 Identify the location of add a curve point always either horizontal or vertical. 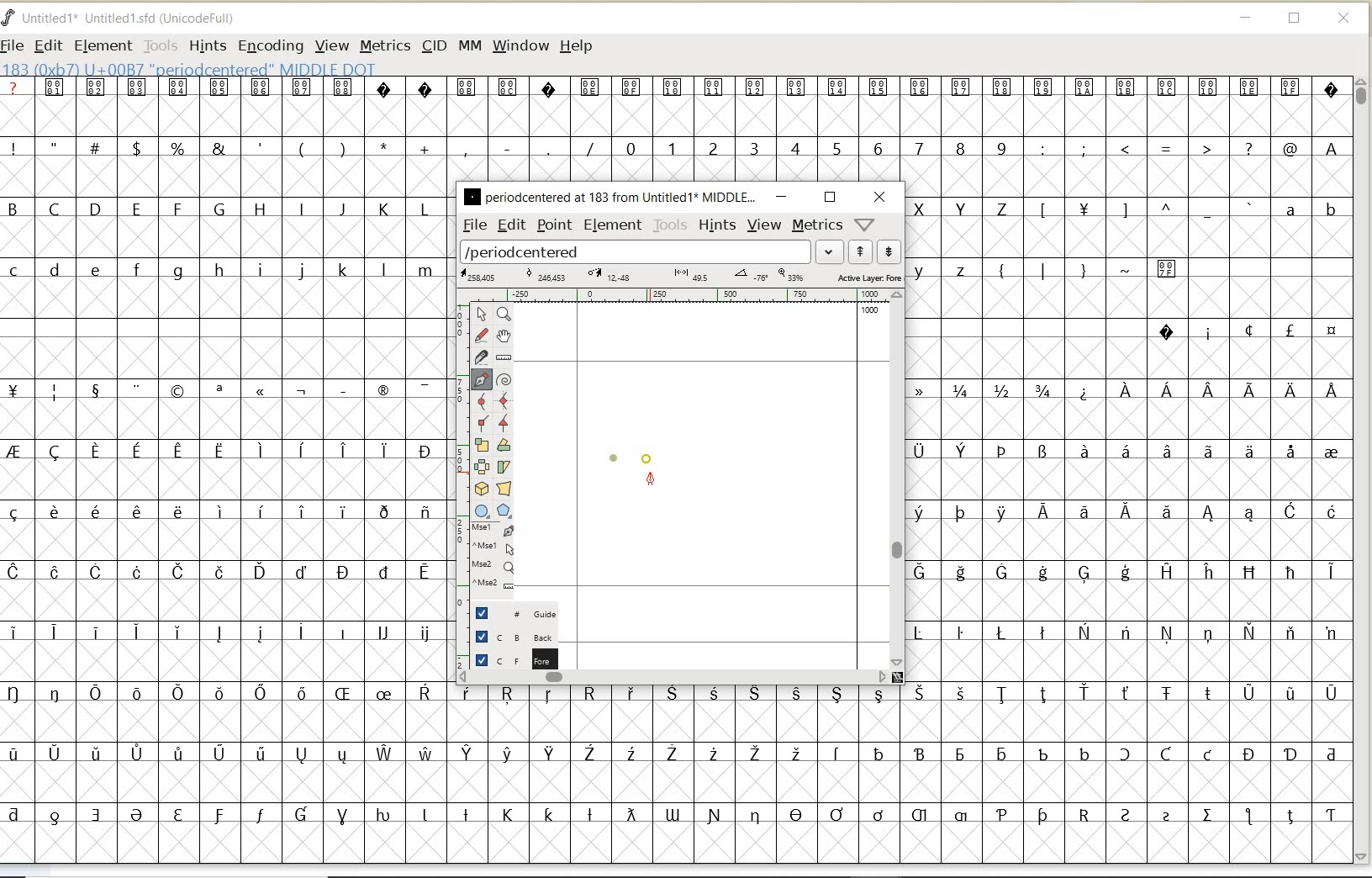
(504, 399).